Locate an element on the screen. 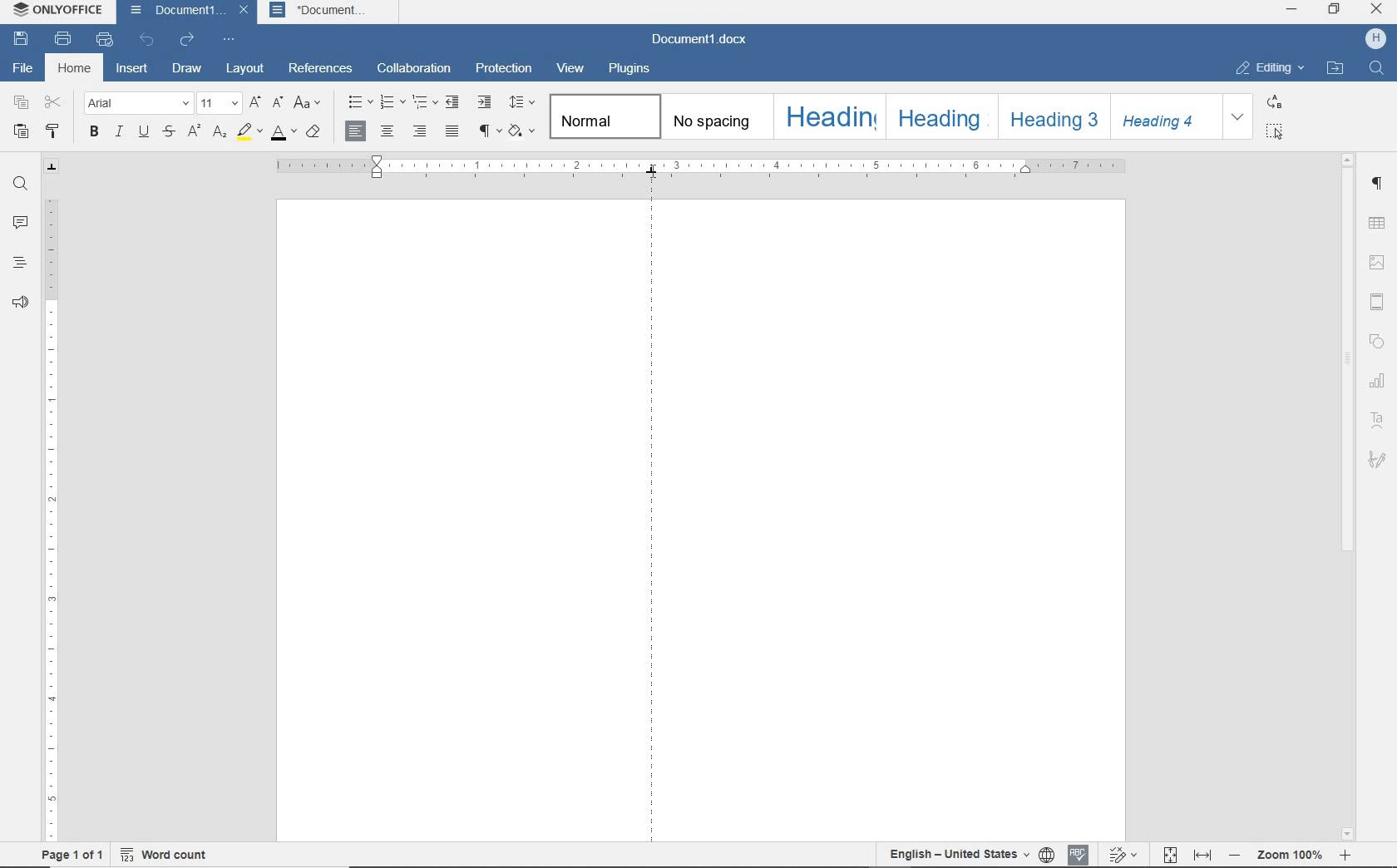  UNDO is located at coordinates (147, 41).